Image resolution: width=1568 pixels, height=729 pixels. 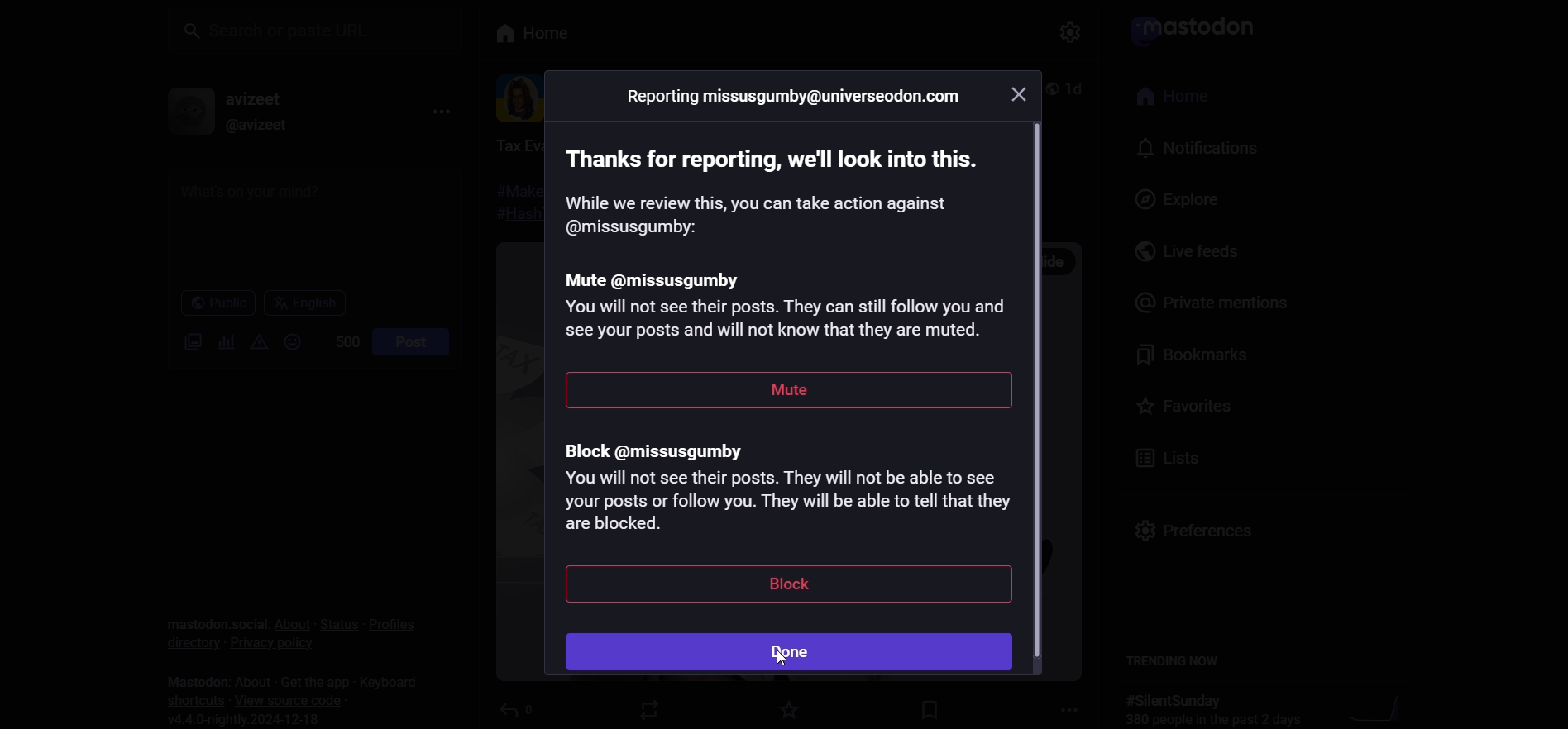 What do you see at coordinates (783, 243) in the screenshot?
I see `mute instructions` at bounding box center [783, 243].